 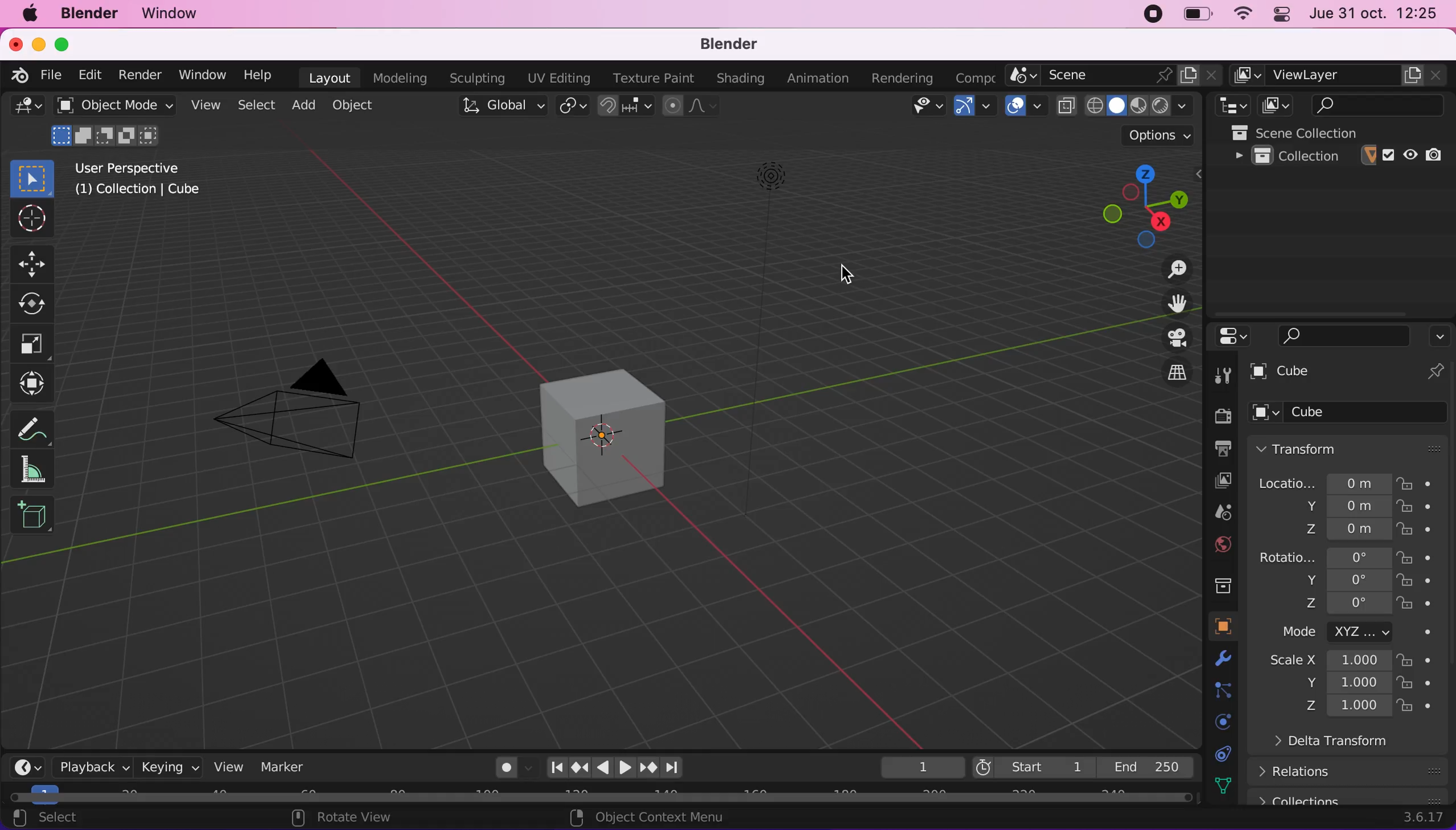 I want to click on uv editing, so click(x=556, y=78).